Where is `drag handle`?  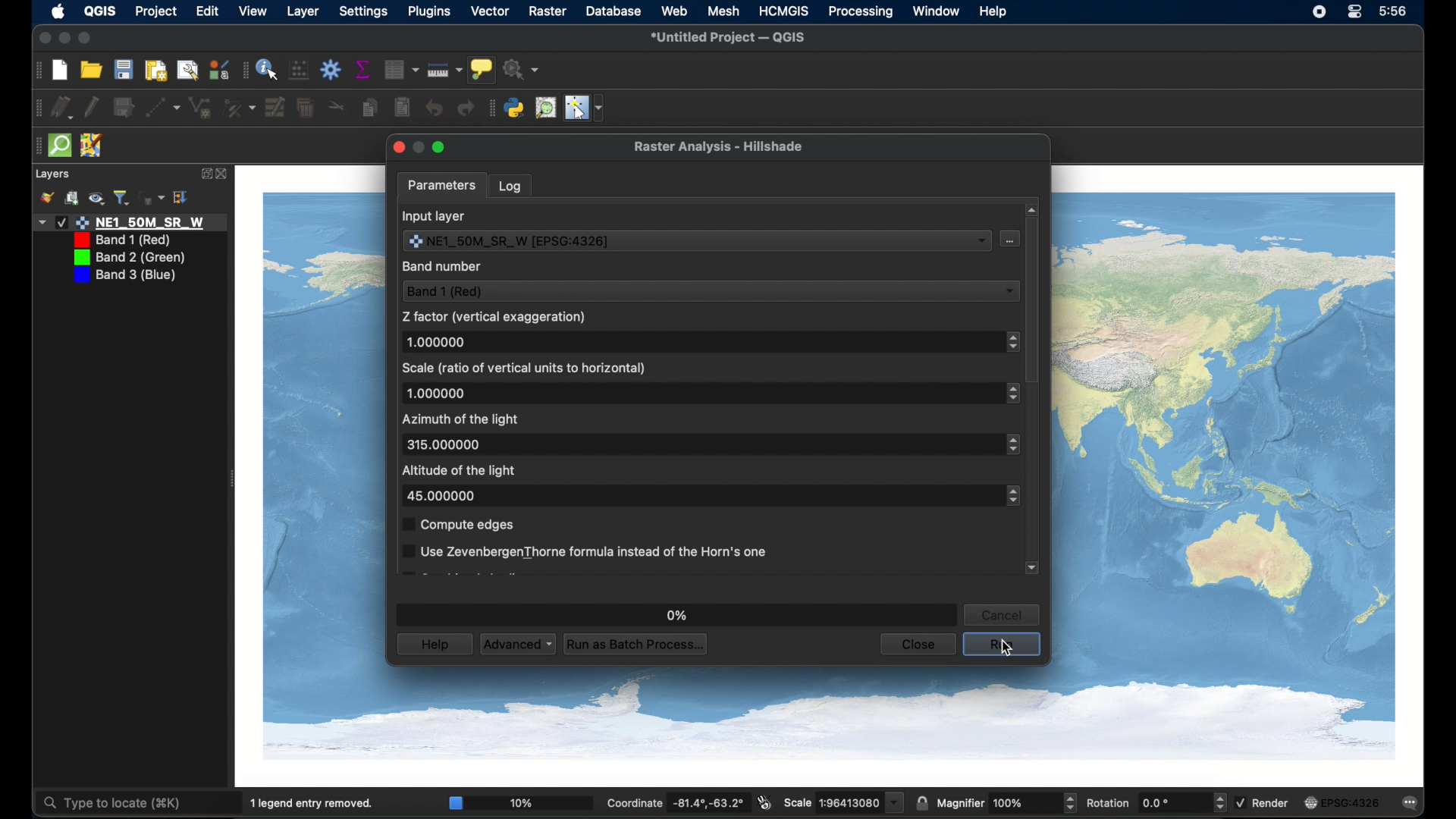
drag handle is located at coordinates (36, 146).